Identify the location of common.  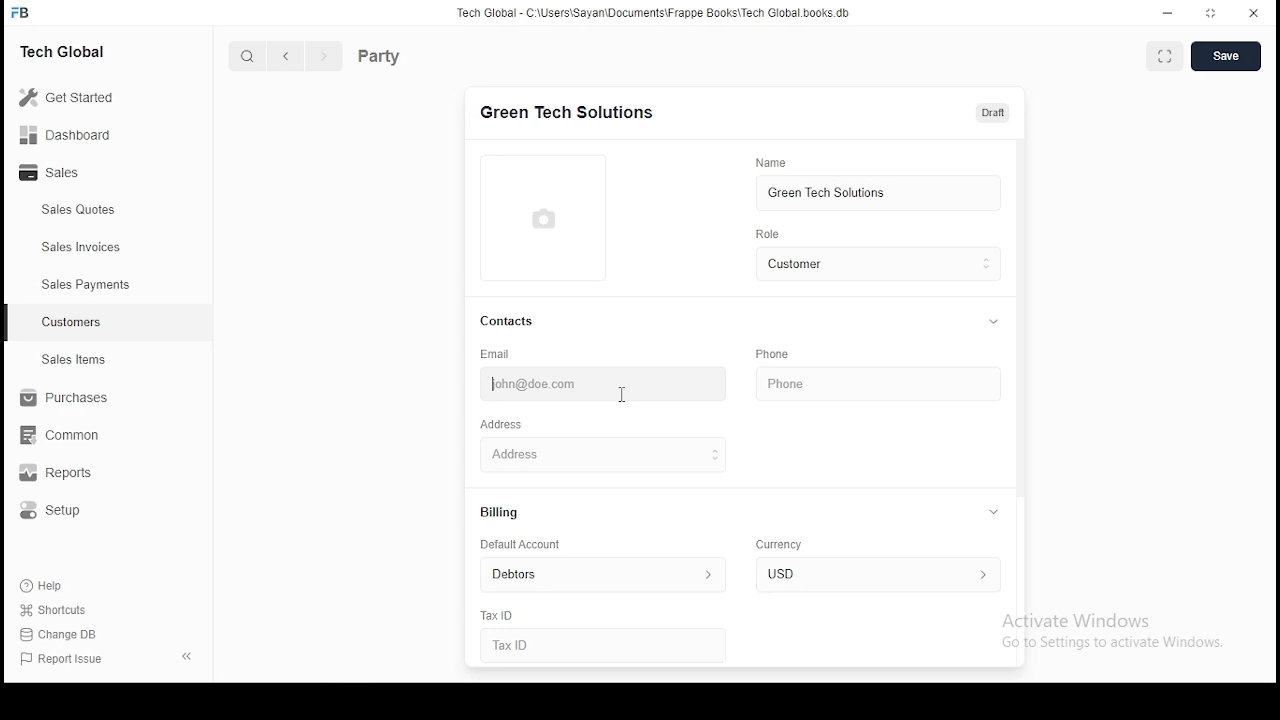
(59, 437).